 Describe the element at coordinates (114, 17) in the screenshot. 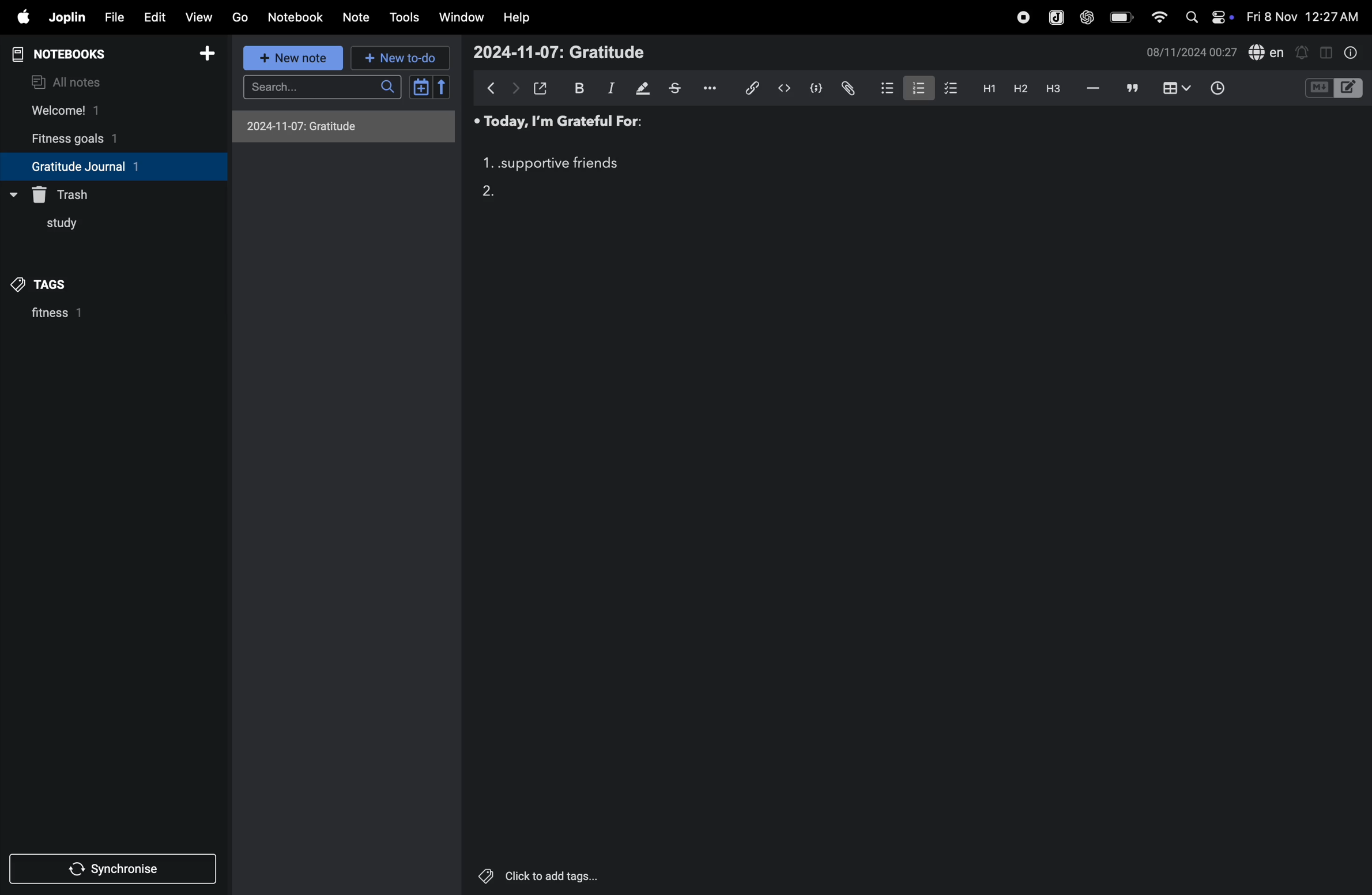

I see `file` at that location.